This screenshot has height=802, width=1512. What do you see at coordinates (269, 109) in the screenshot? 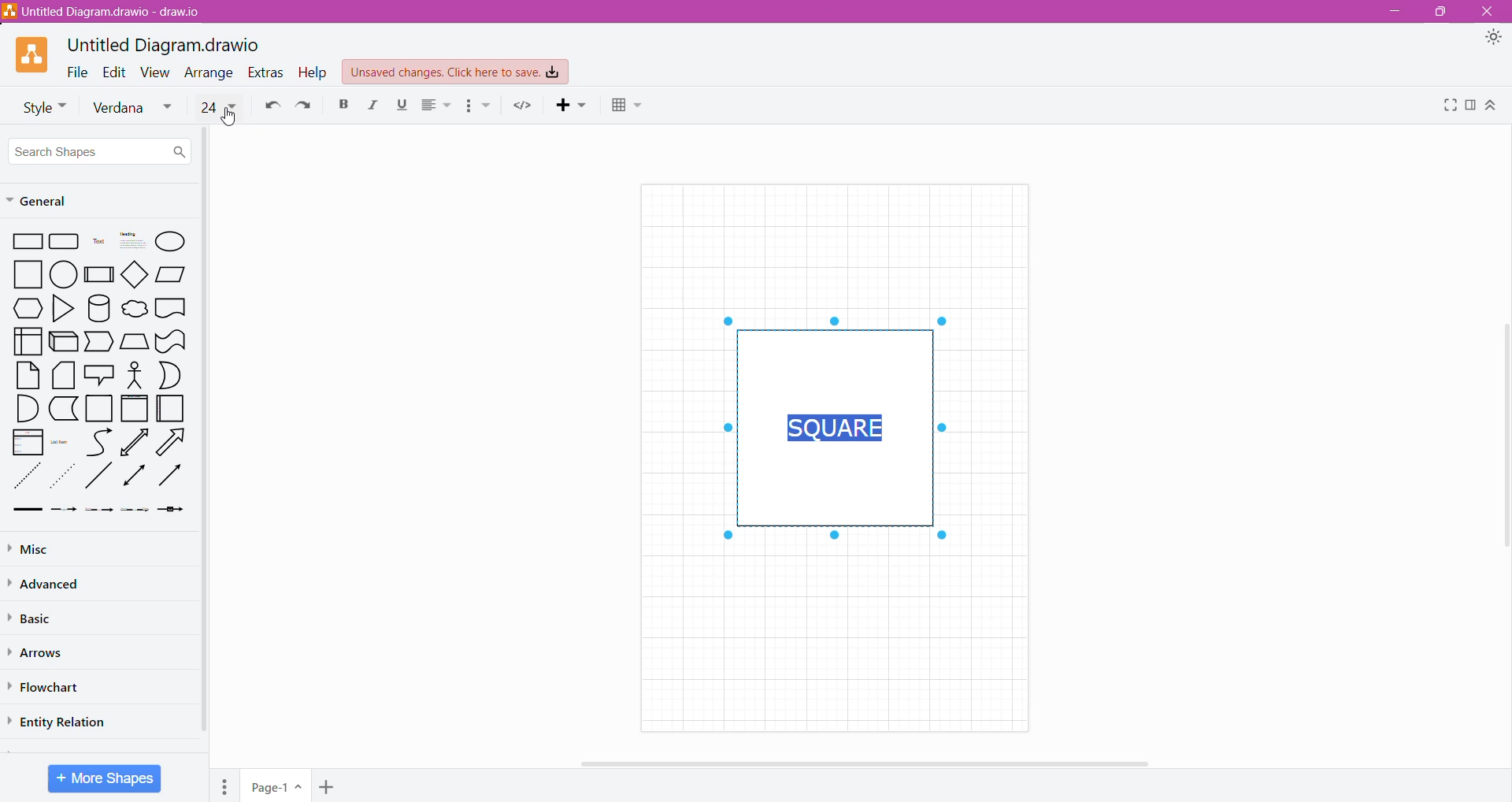
I see `Undo` at bounding box center [269, 109].